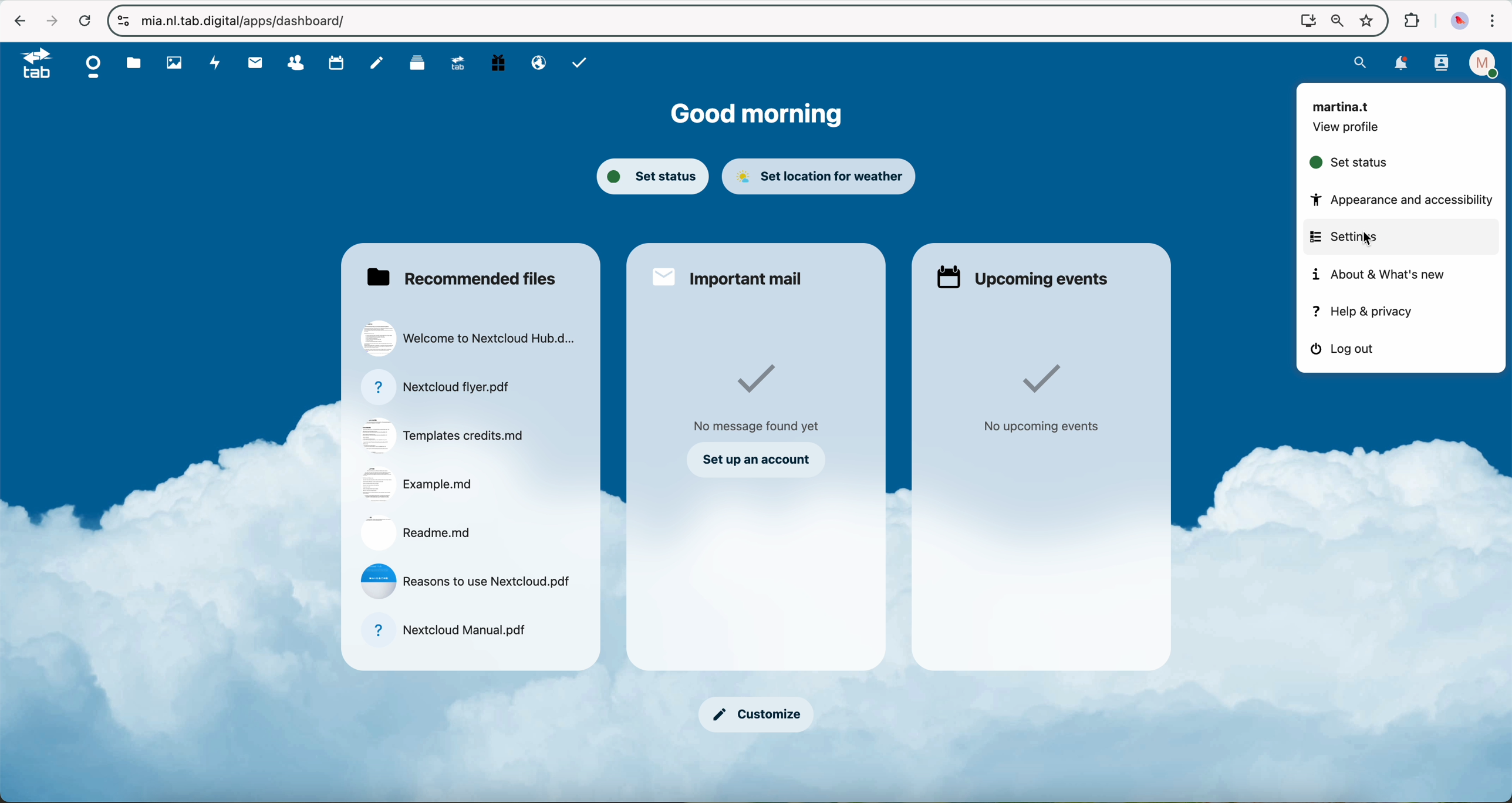  Describe the element at coordinates (1441, 64) in the screenshot. I see `contacts` at that location.